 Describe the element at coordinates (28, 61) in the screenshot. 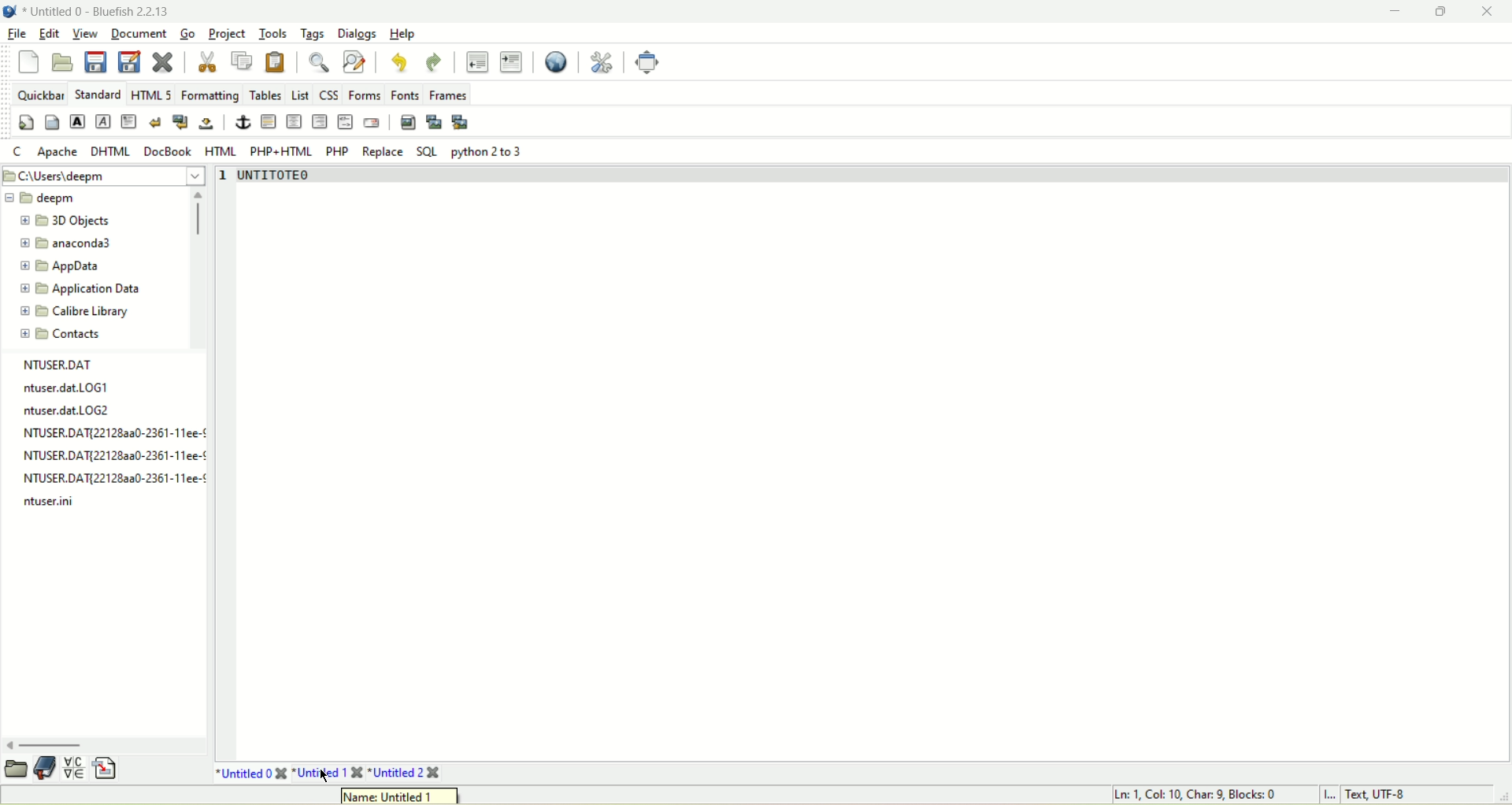

I see `new ` at that location.